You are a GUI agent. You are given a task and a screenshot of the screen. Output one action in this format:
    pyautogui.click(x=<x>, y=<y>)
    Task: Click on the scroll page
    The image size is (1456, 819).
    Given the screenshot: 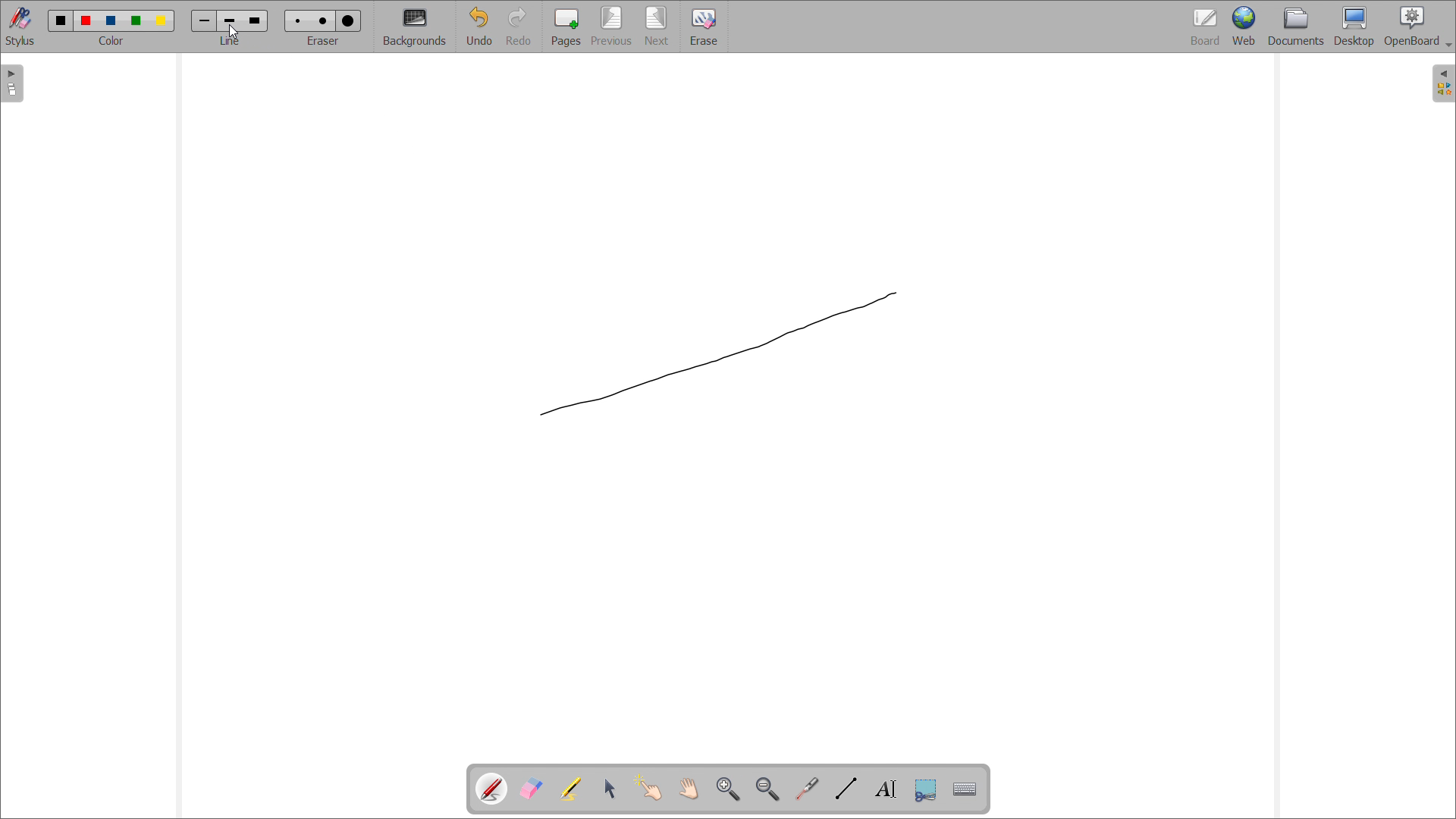 What is the action you would take?
    pyautogui.click(x=689, y=788)
    